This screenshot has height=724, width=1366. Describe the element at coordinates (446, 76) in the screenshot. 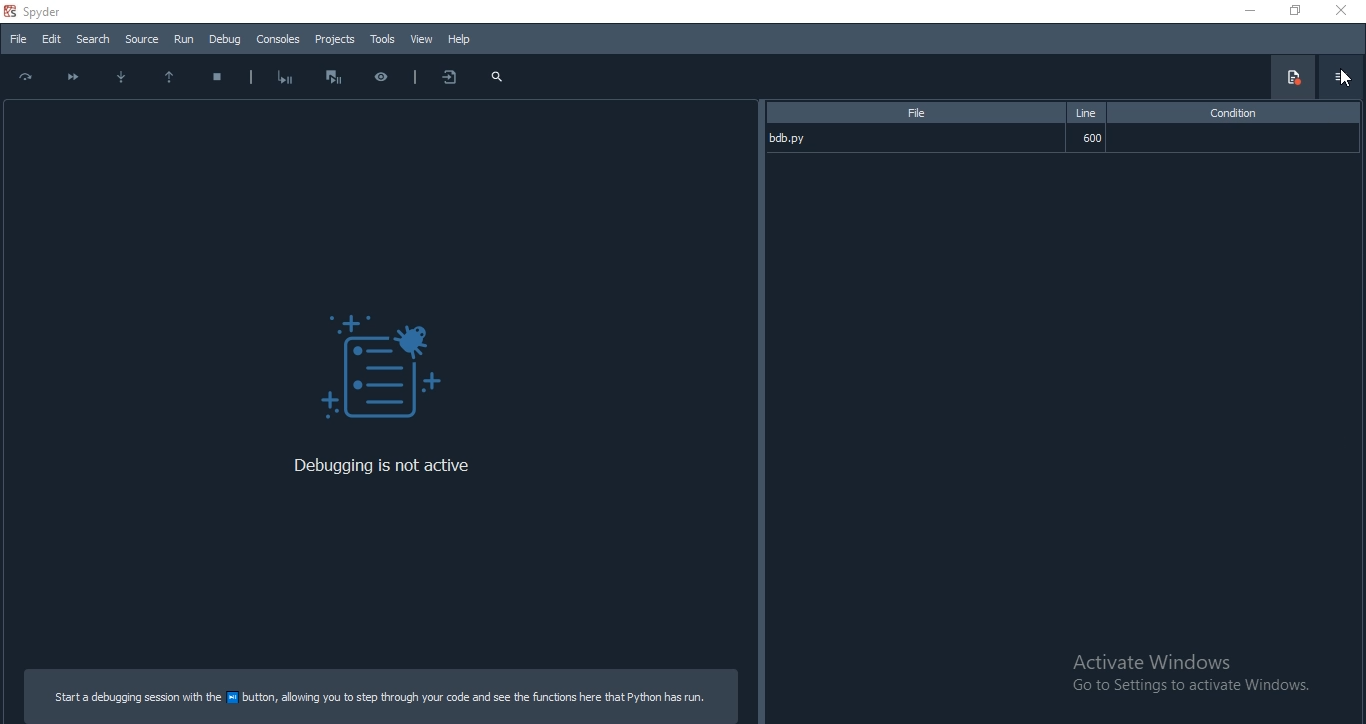

I see `more` at that location.